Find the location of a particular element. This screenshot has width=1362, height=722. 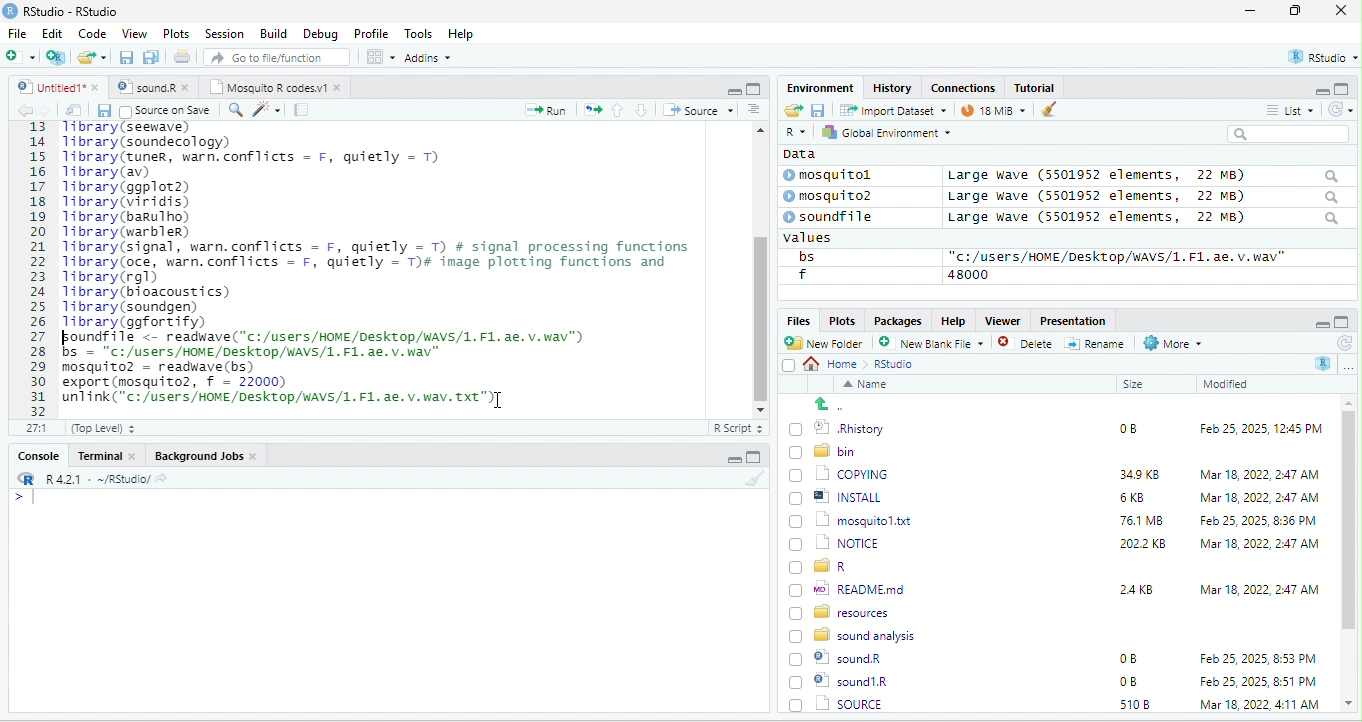

sharpen is located at coordinates (267, 109).